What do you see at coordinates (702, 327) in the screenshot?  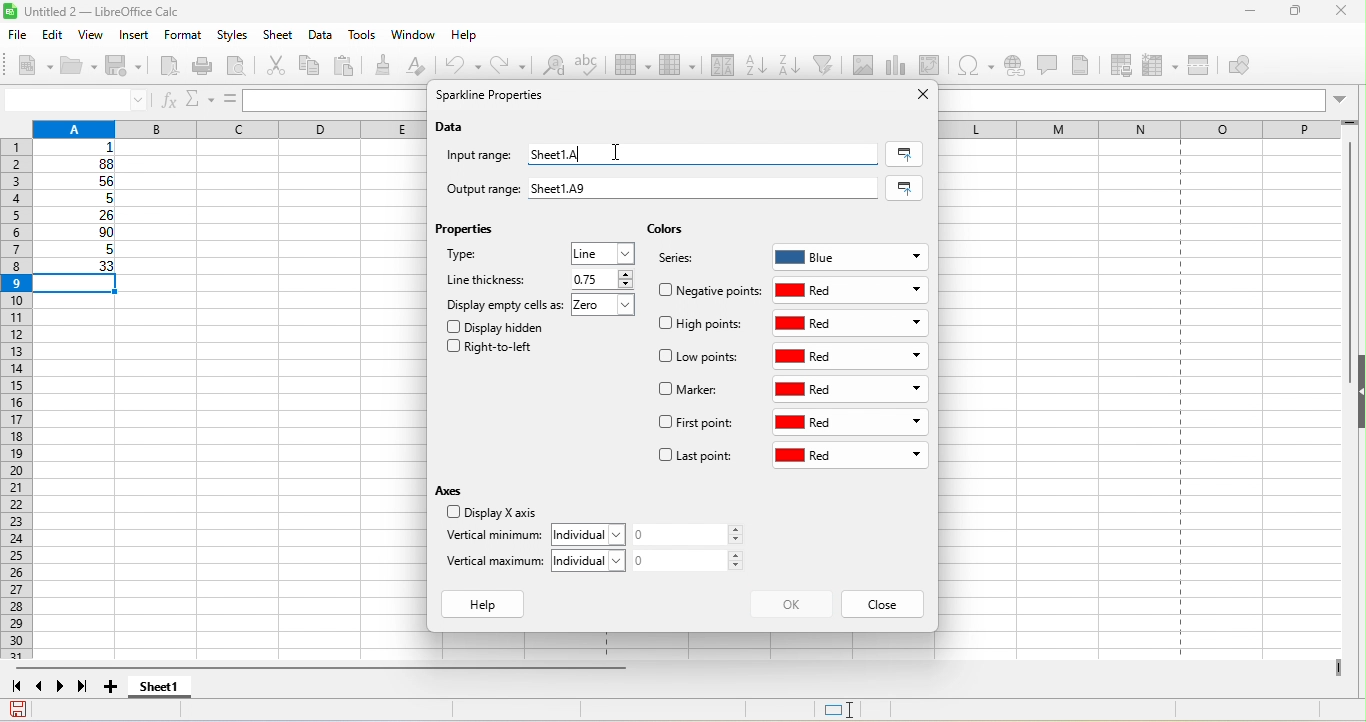 I see `high points` at bounding box center [702, 327].